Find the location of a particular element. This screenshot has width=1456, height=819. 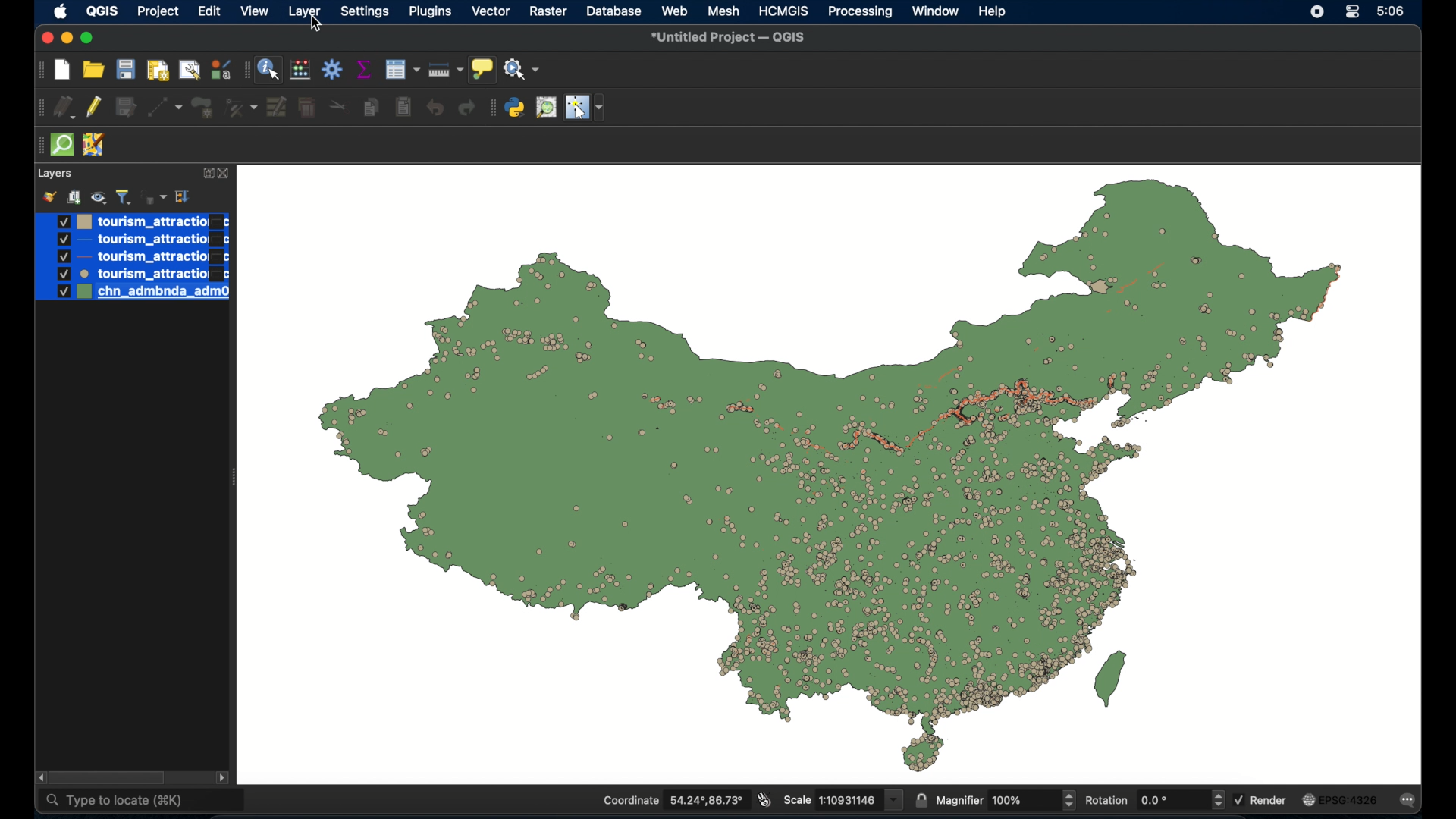

scroll left arrow is located at coordinates (42, 778).